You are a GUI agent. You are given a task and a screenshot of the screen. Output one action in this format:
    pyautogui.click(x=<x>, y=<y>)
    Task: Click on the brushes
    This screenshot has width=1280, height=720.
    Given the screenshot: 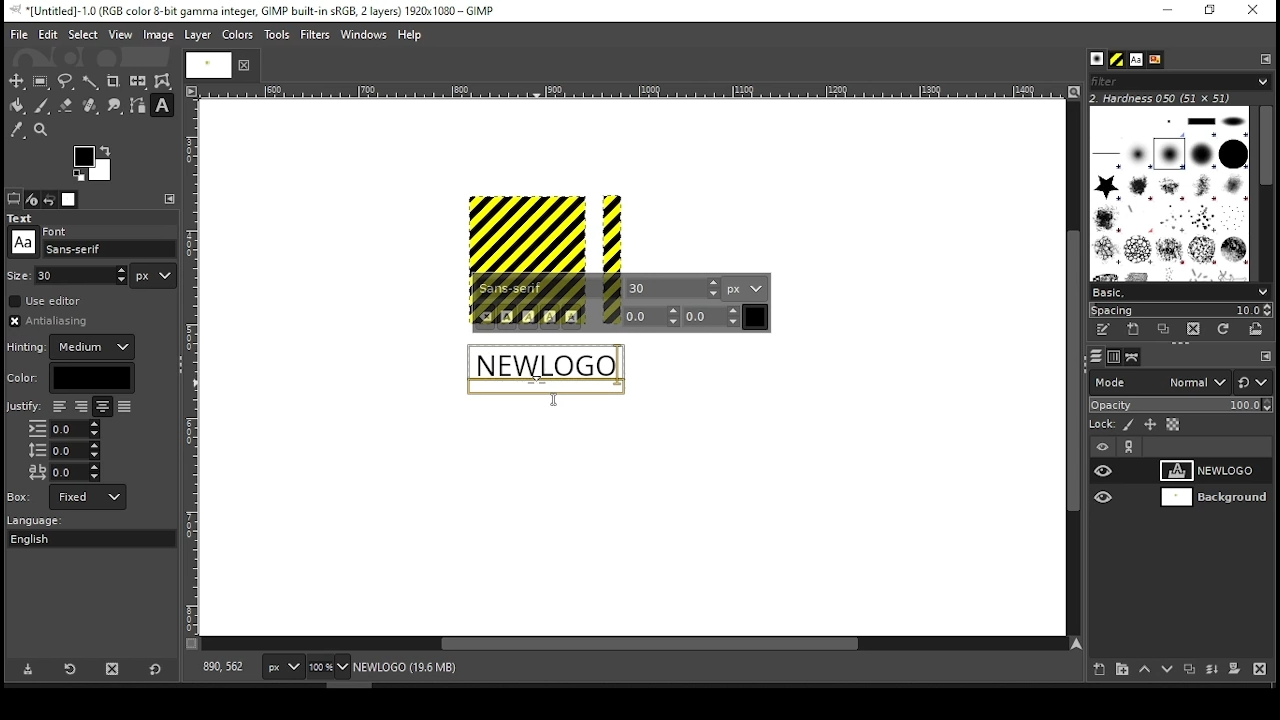 What is the action you would take?
    pyautogui.click(x=1169, y=193)
    